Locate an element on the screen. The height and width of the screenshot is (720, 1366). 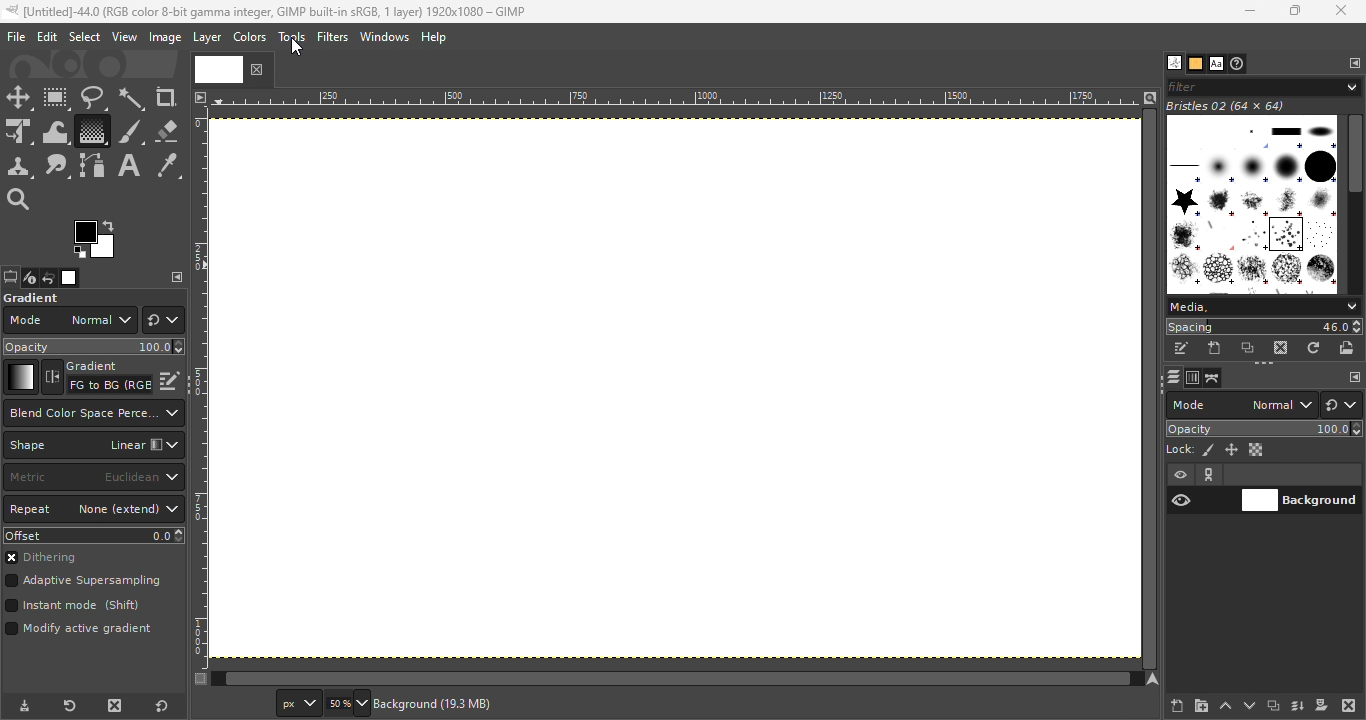
Mode is located at coordinates (1242, 405).